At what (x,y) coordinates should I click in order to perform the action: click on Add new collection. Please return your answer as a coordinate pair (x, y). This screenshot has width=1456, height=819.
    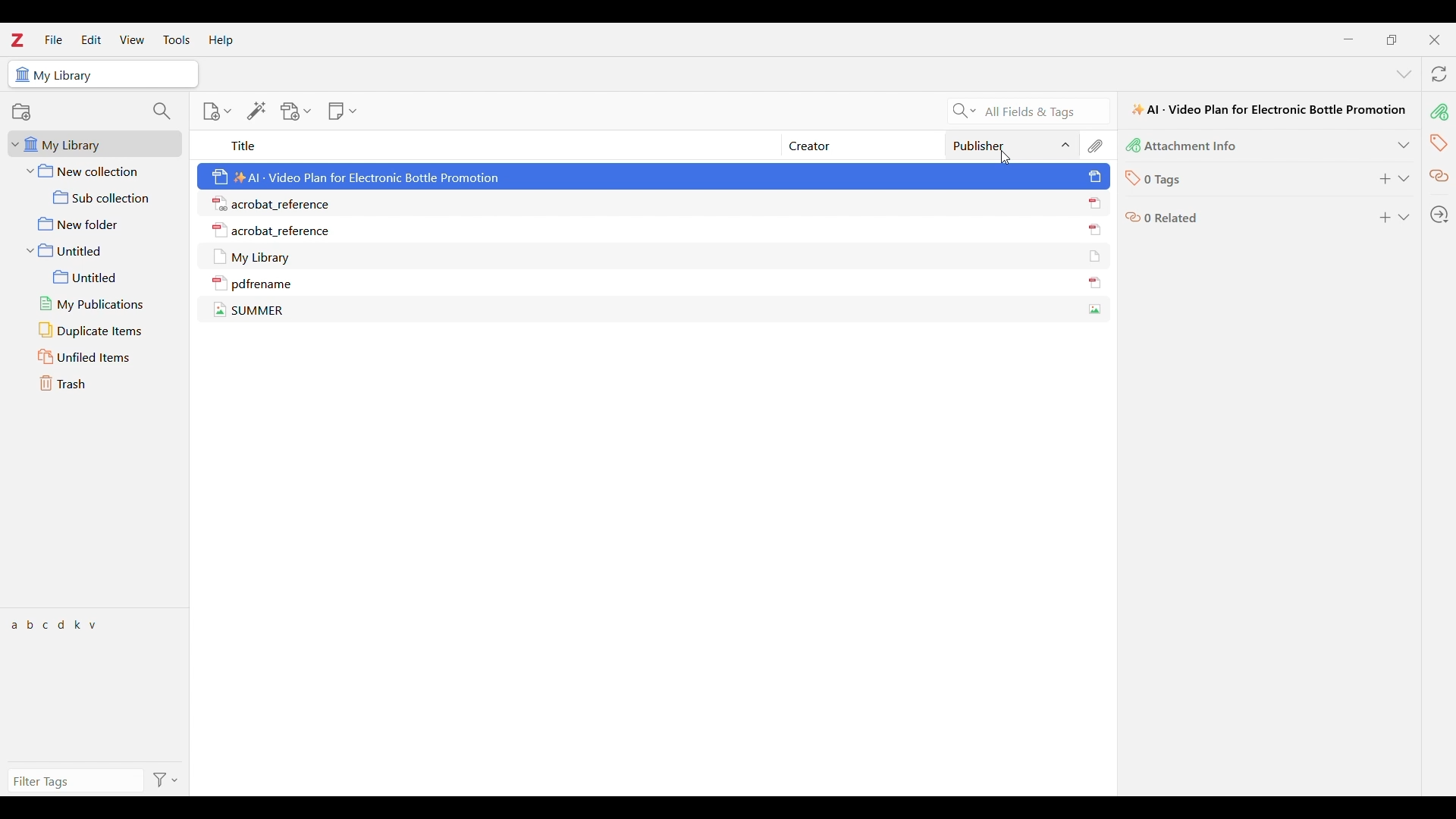
    Looking at the image, I should click on (20, 111).